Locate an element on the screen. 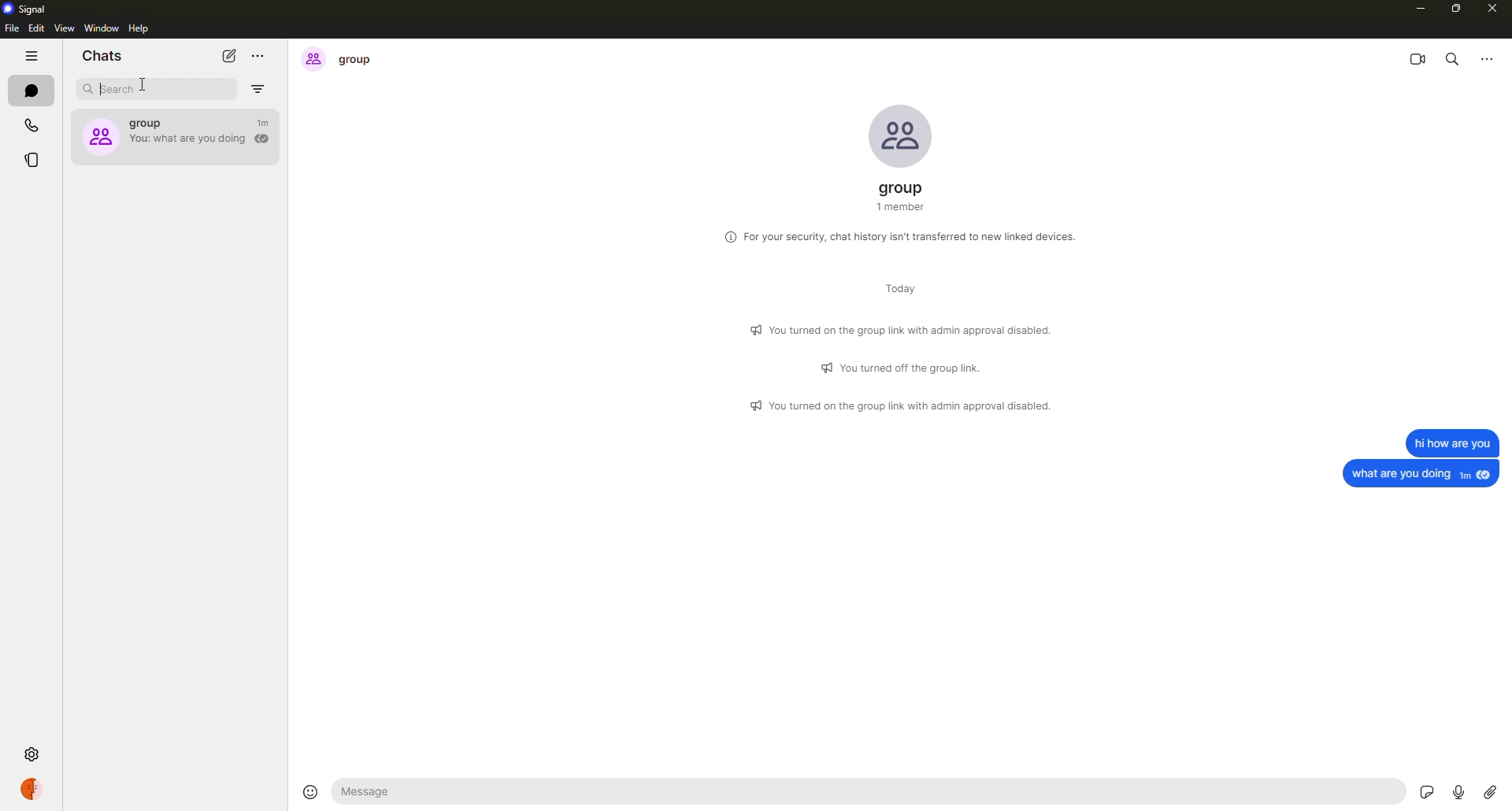  edit is located at coordinates (36, 28).